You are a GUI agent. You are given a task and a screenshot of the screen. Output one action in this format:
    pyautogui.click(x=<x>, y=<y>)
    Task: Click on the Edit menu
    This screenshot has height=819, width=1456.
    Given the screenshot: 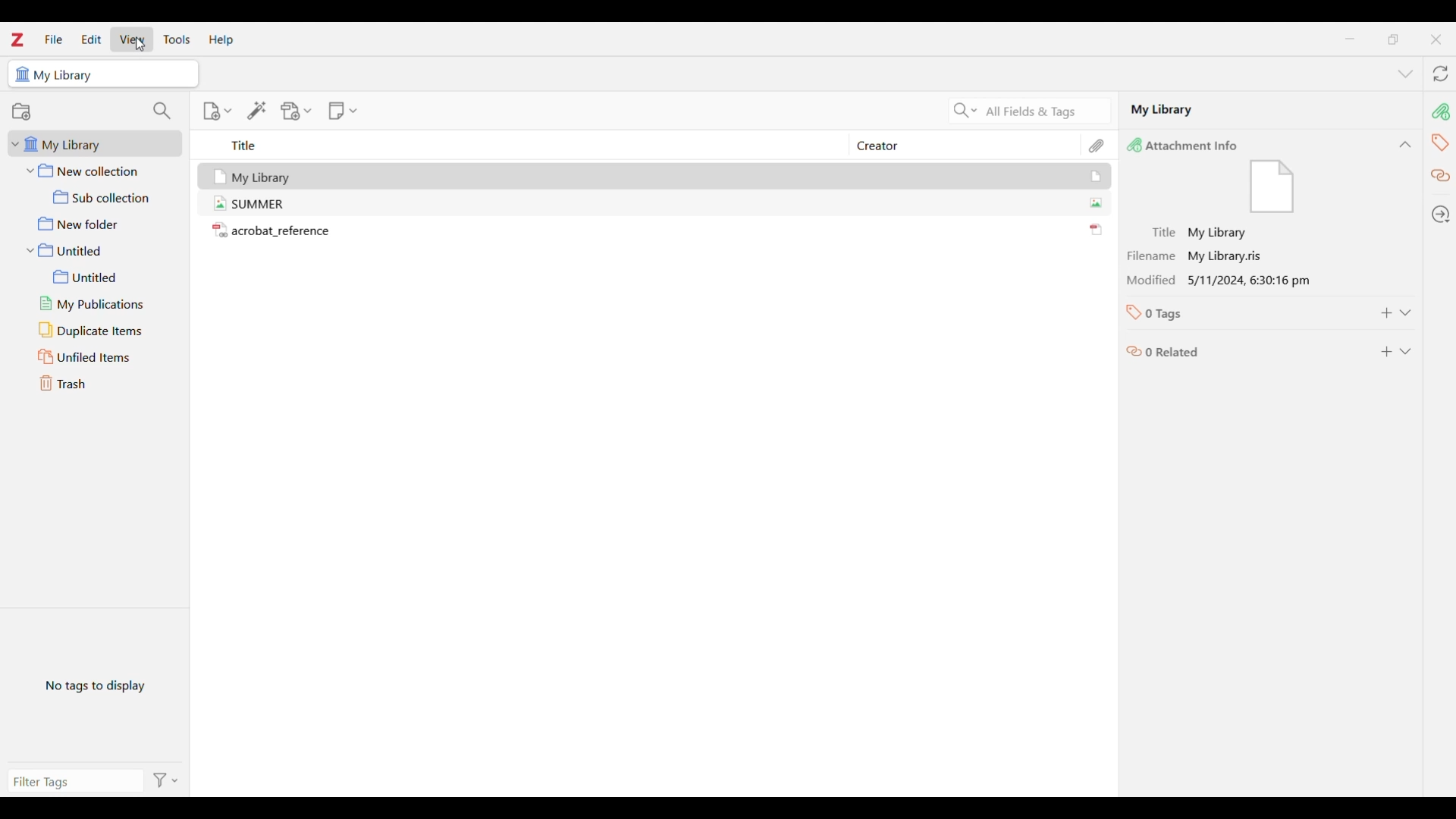 What is the action you would take?
    pyautogui.click(x=91, y=39)
    